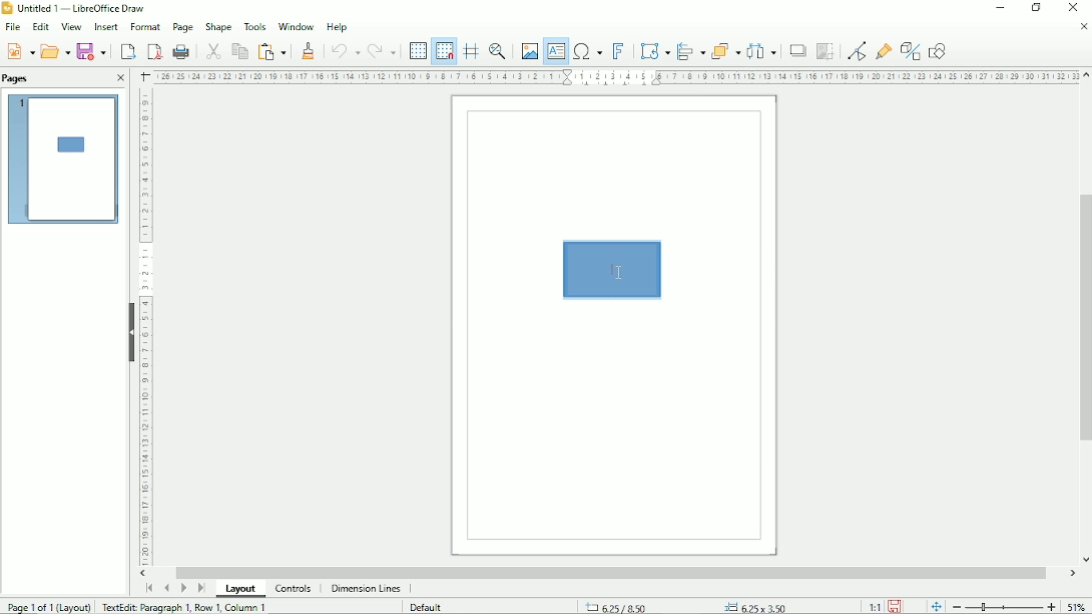  I want to click on Close, so click(121, 78).